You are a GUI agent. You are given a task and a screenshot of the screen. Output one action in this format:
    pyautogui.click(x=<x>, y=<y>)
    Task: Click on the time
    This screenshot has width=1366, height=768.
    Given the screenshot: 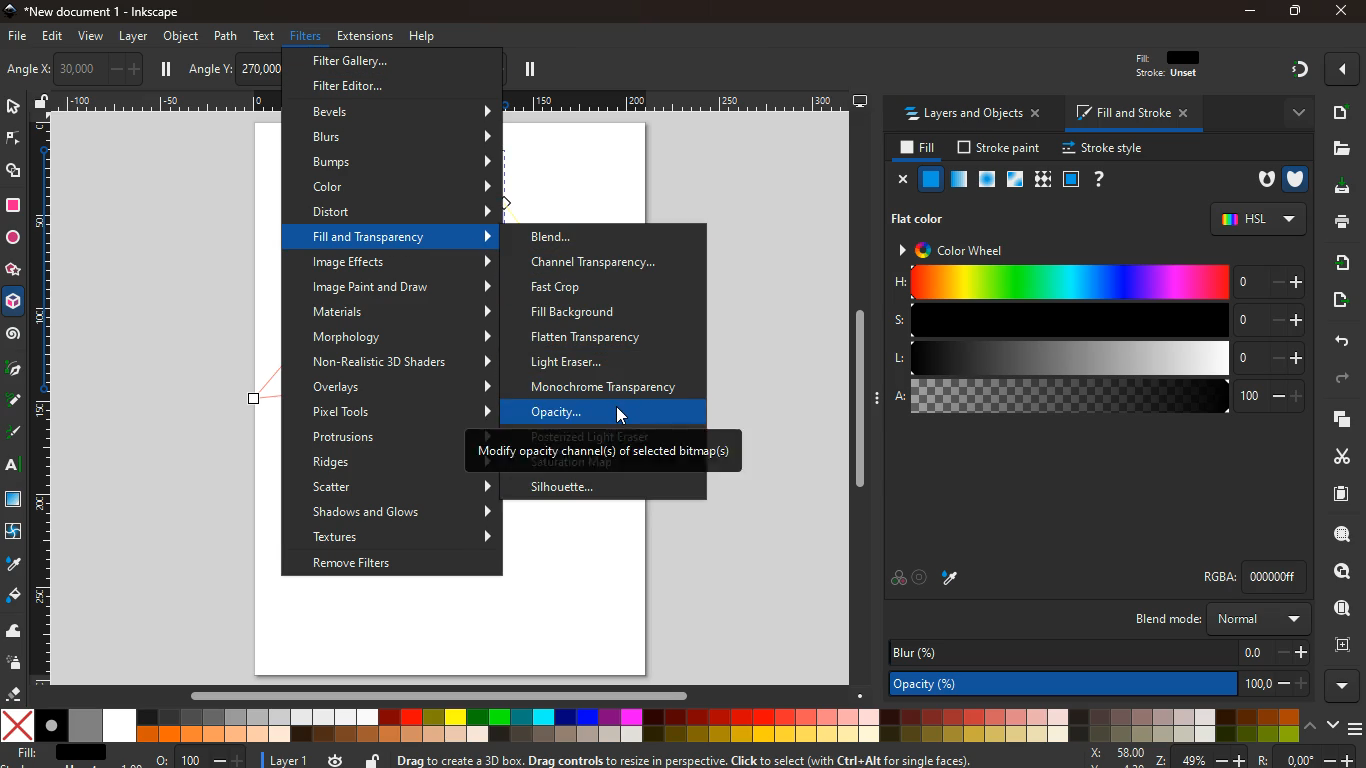 What is the action you would take?
    pyautogui.click(x=334, y=760)
    